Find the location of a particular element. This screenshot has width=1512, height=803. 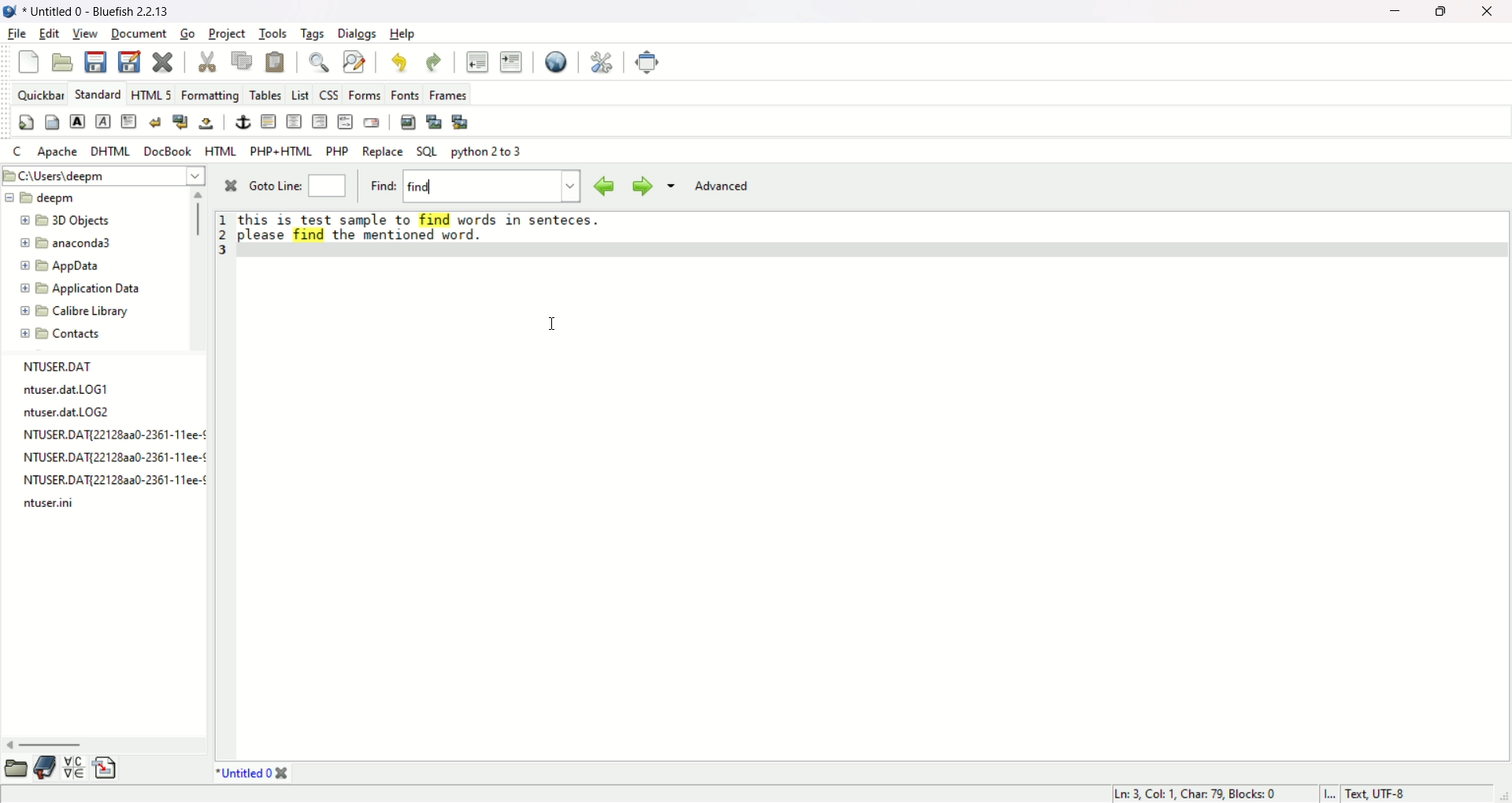

list is located at coordinates (298, 94).